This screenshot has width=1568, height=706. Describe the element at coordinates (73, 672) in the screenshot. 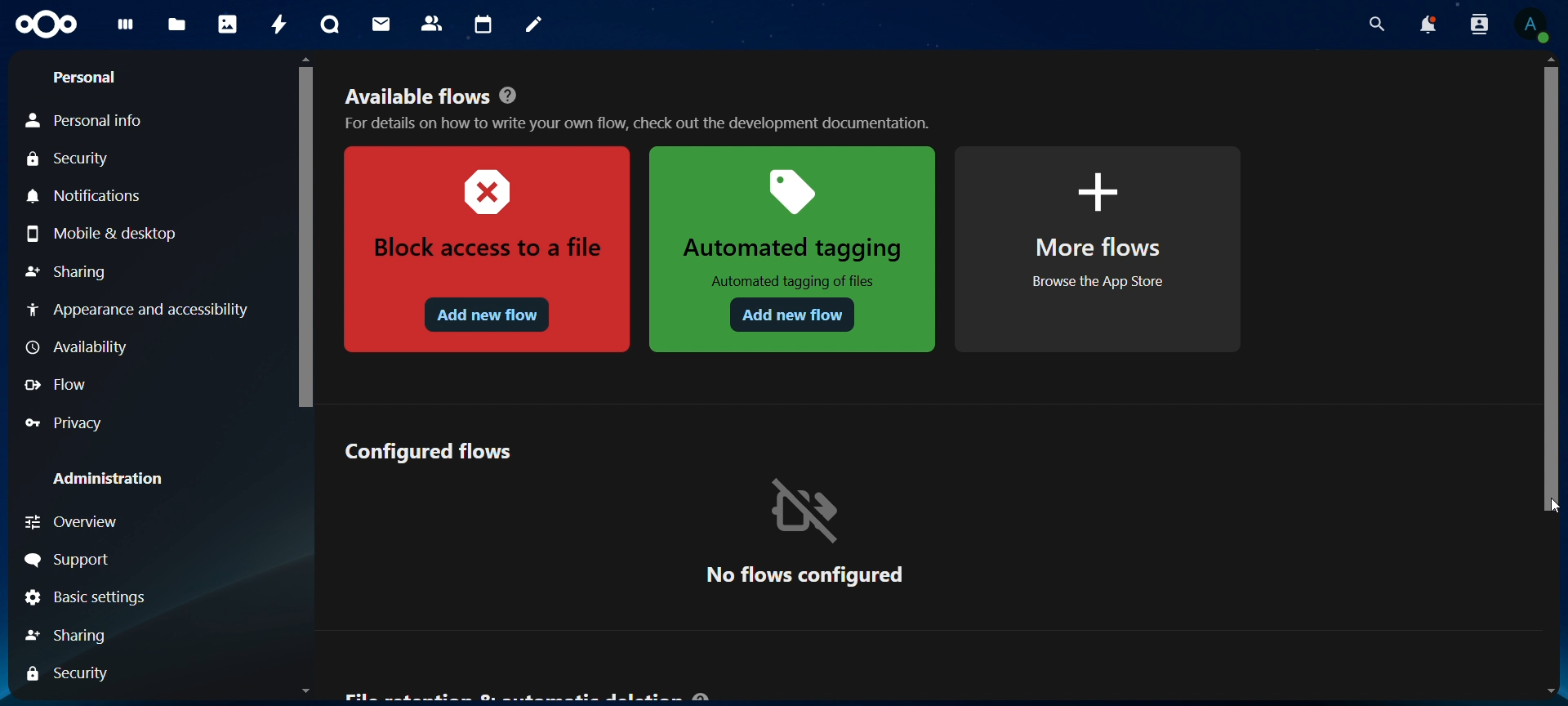

I see `security` at that location.